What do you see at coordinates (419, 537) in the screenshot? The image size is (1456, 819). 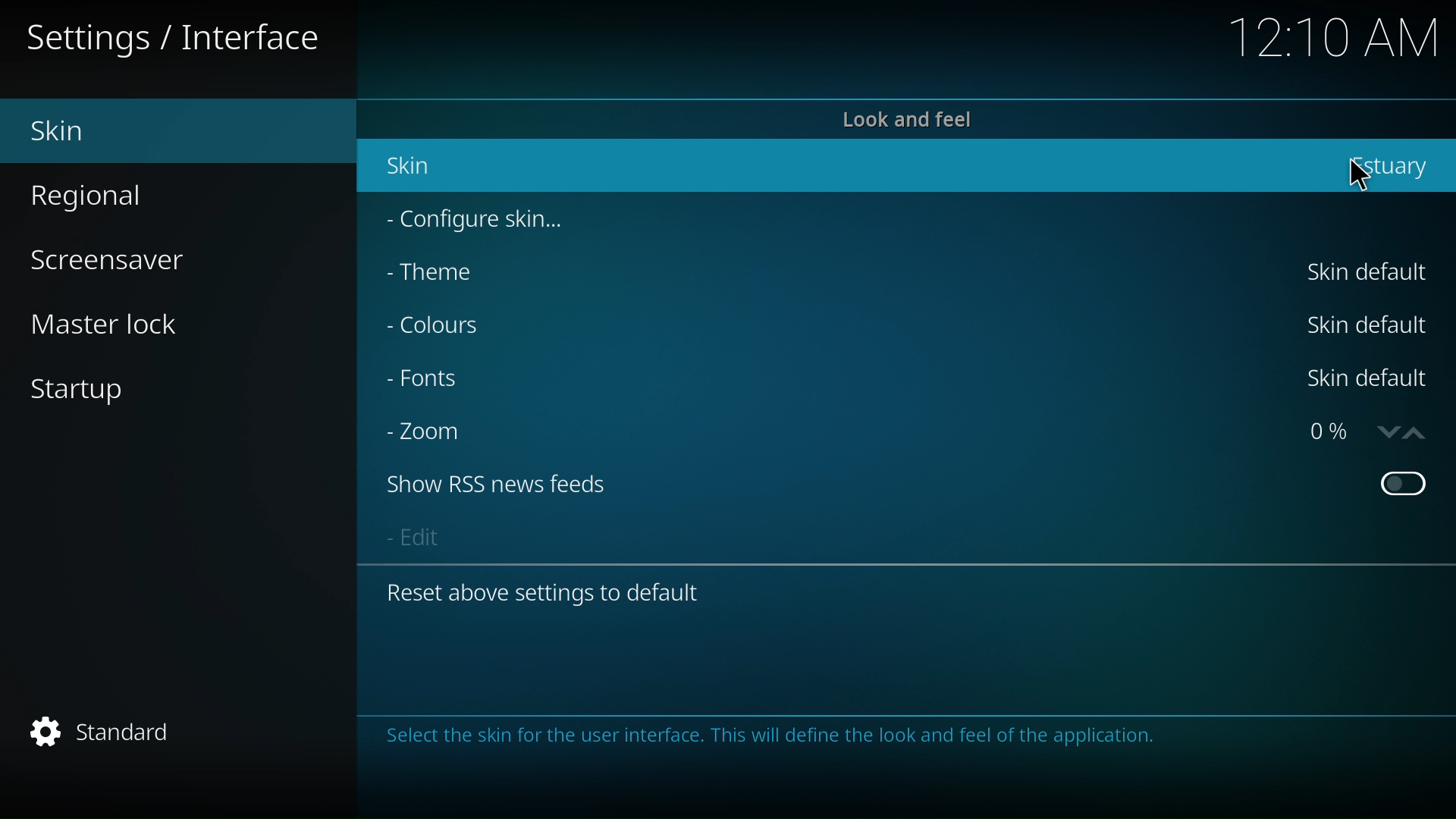 I see `edit` at bounding box center [419, 537].